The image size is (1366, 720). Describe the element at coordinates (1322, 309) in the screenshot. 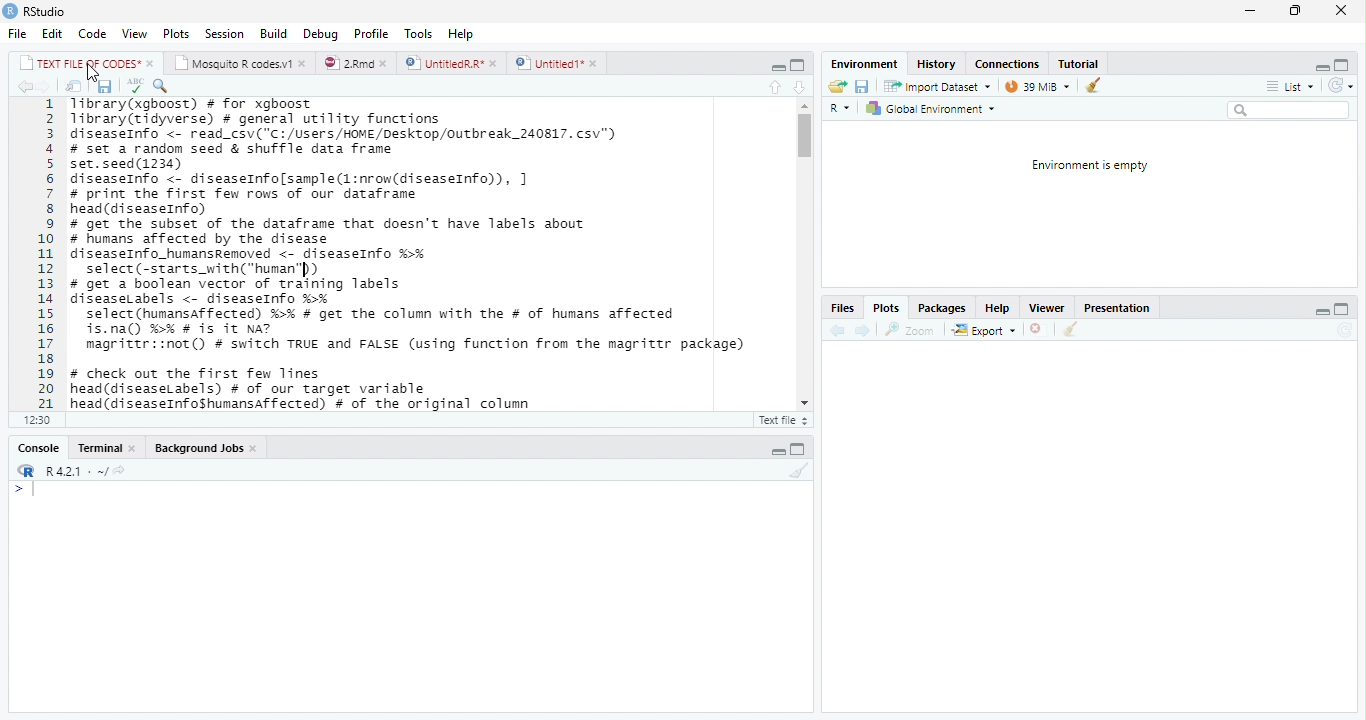

I see `Minimize` at that location.